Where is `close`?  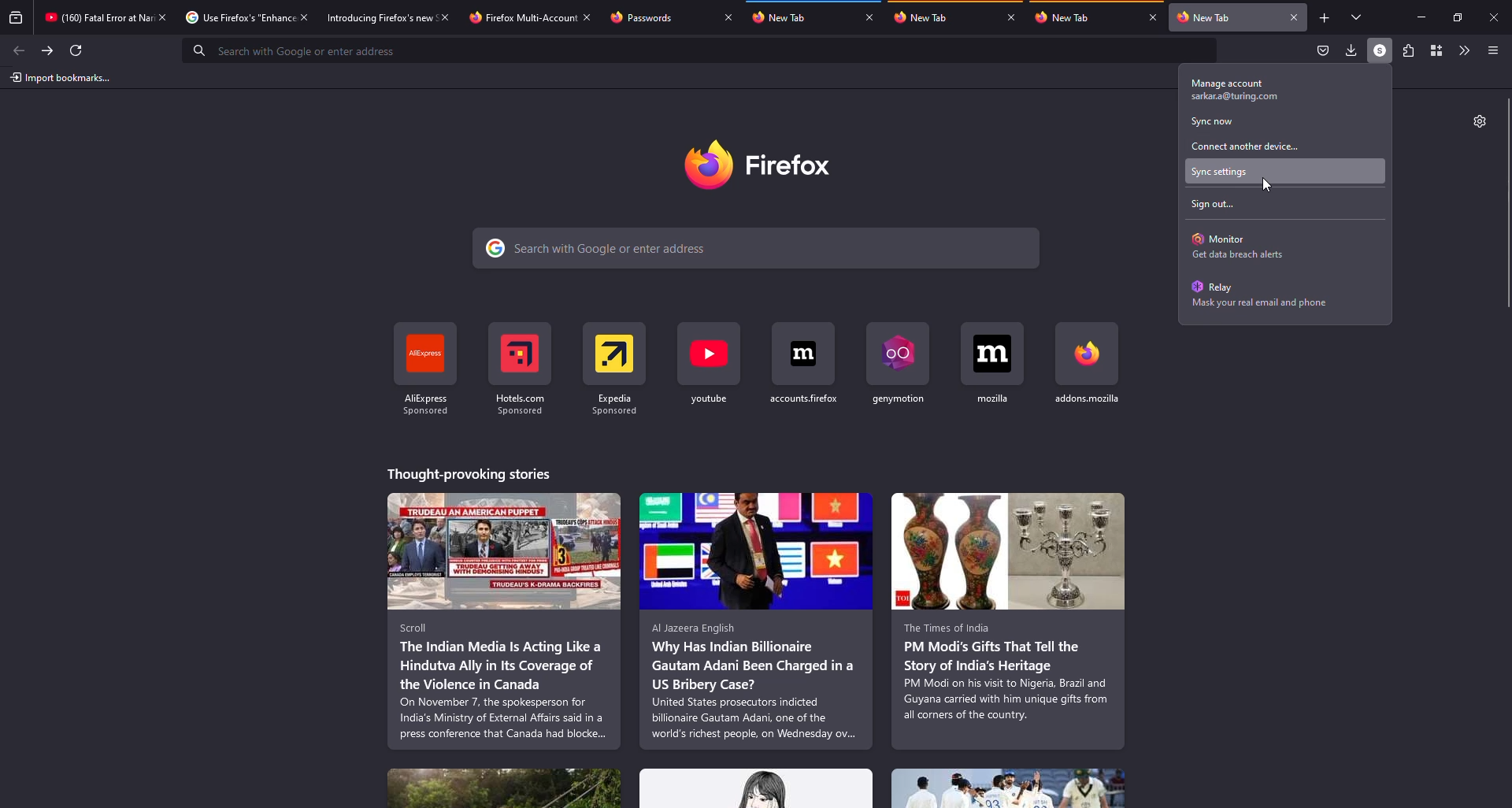 close is located at coordinates (587, 17).